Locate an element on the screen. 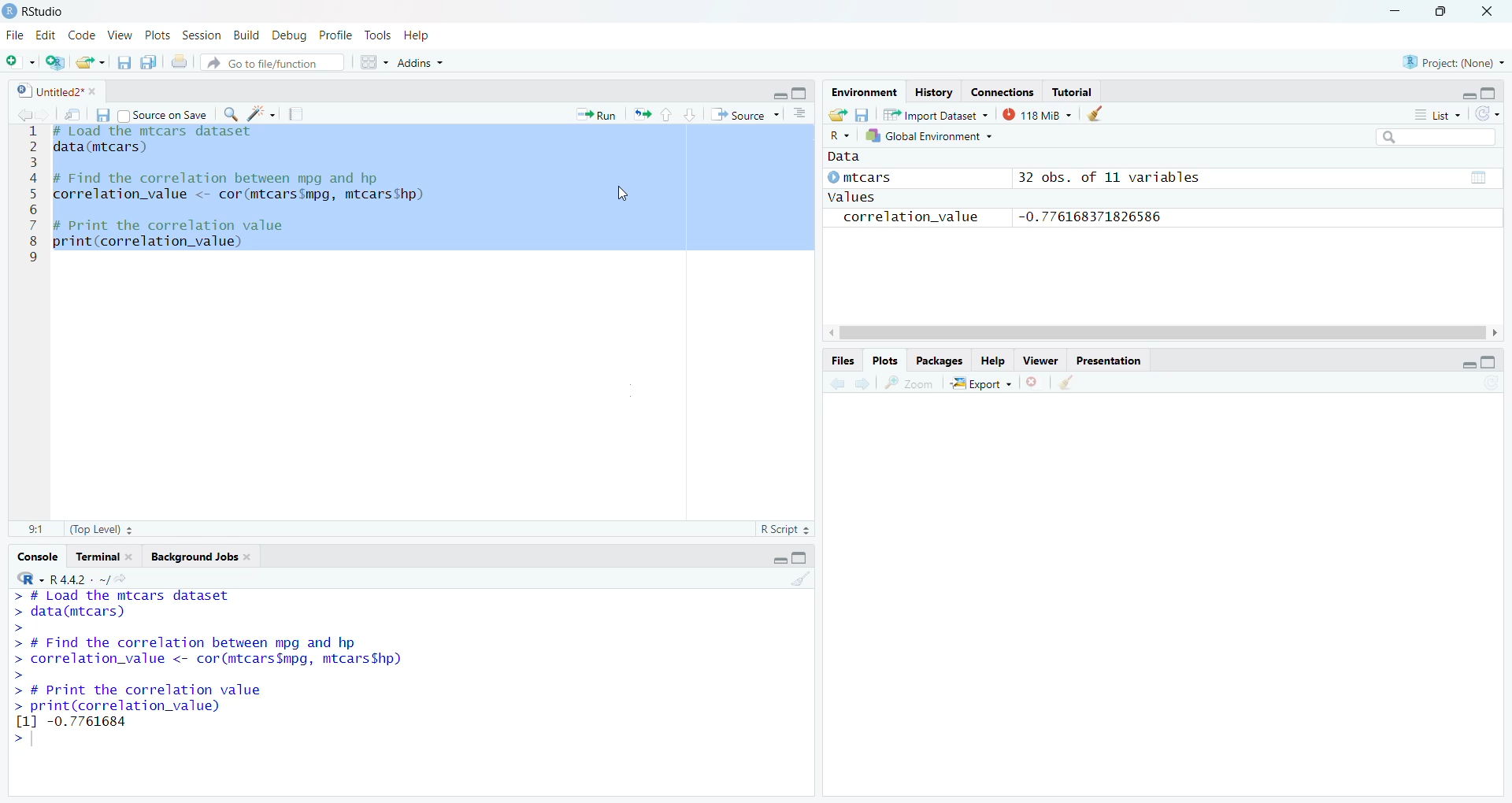 This screenshot has width=1512, height=803. Packages is located at coordinates (943, 358).